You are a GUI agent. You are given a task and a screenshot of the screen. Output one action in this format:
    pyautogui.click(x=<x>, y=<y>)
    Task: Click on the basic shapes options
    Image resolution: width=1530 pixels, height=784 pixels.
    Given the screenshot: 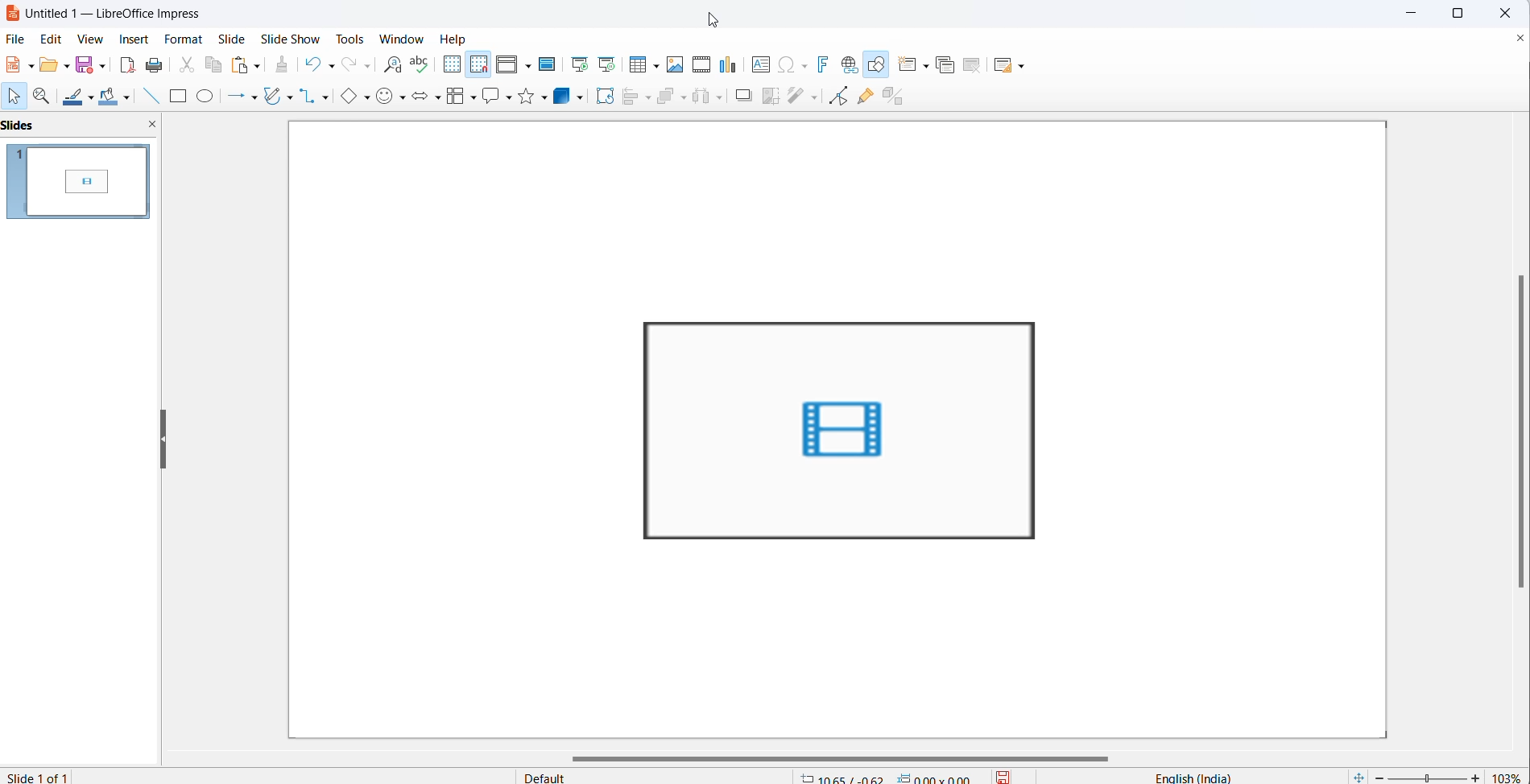 What is the action you would take?
    pyautogui.click(x=369, y=99)
    